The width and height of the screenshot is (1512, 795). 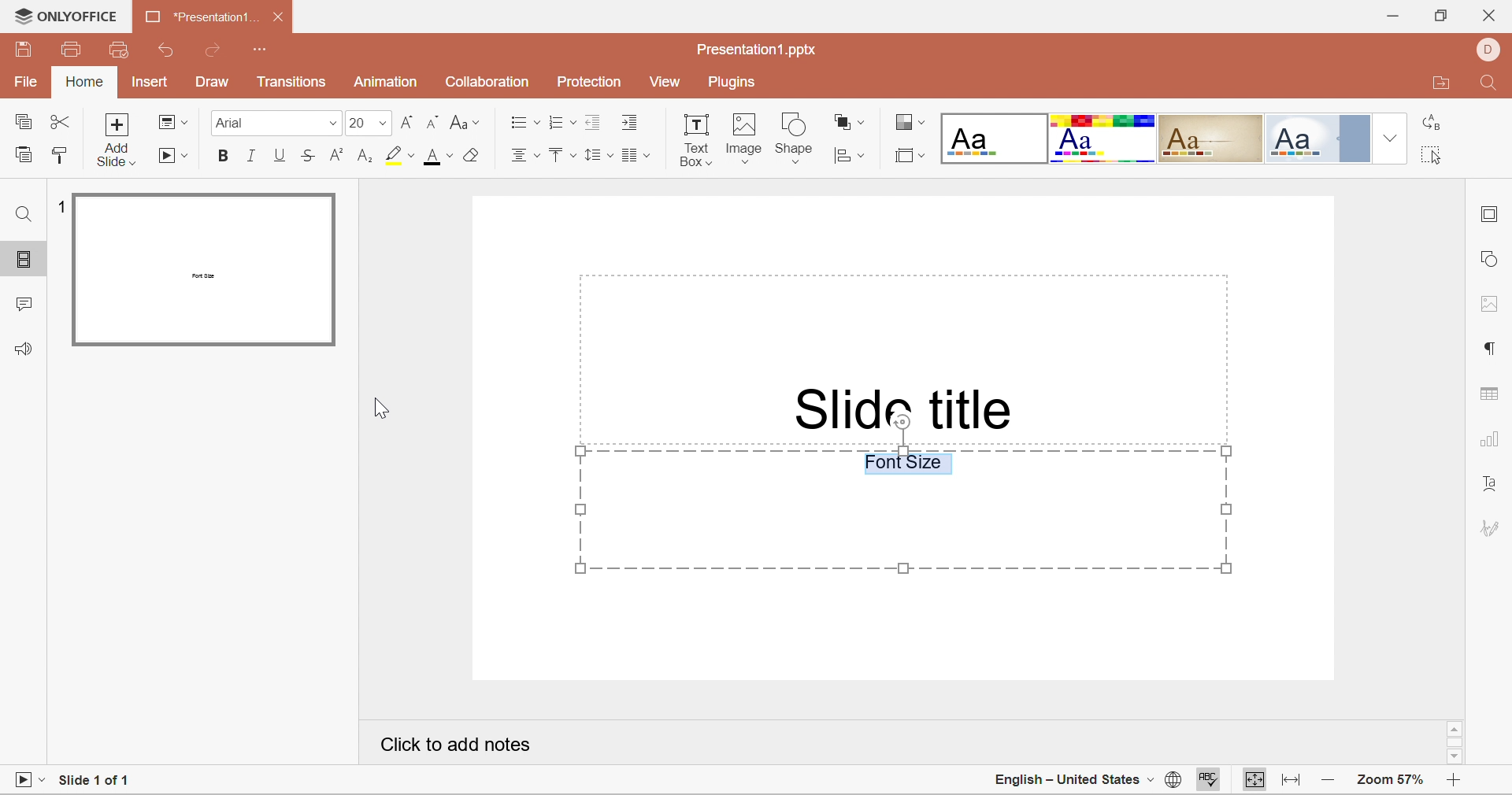 I want to click on Signature settings, so click(x=1489, y=530).